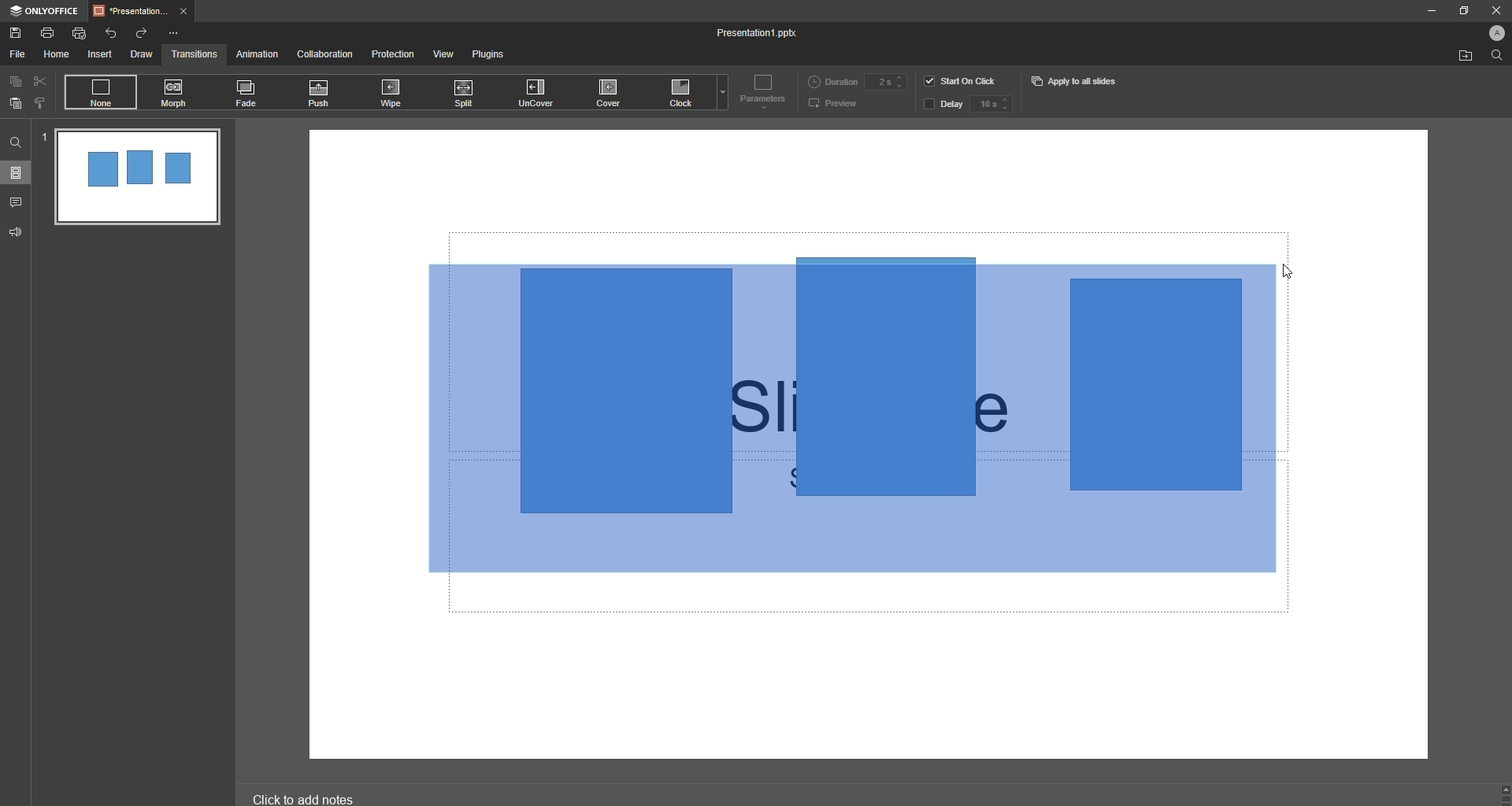 The width and height of the screenshot is (1512, 806). I want to click on Open from file, so click(1465, 57).